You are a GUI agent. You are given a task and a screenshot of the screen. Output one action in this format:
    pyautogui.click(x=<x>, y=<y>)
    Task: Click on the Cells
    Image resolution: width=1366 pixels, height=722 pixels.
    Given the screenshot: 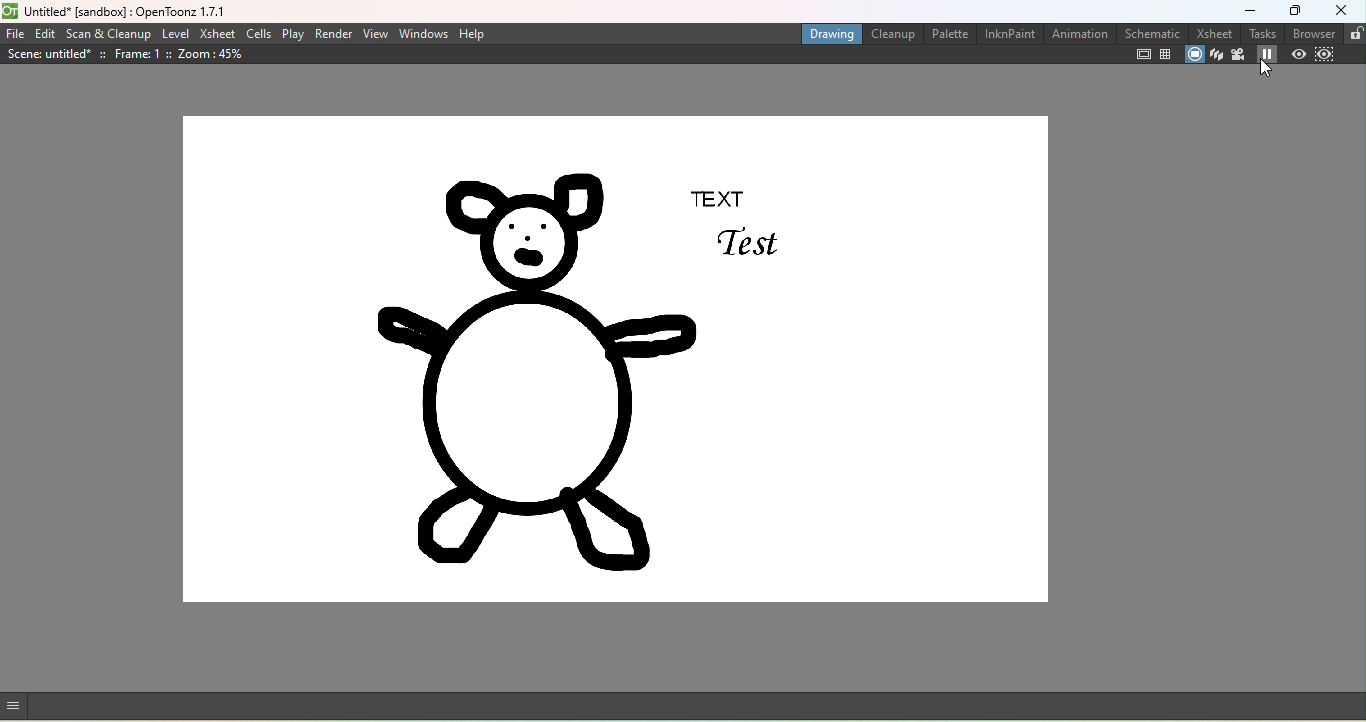 What is the action you would take?
    pyautogui.click(x=258, y=35)
    